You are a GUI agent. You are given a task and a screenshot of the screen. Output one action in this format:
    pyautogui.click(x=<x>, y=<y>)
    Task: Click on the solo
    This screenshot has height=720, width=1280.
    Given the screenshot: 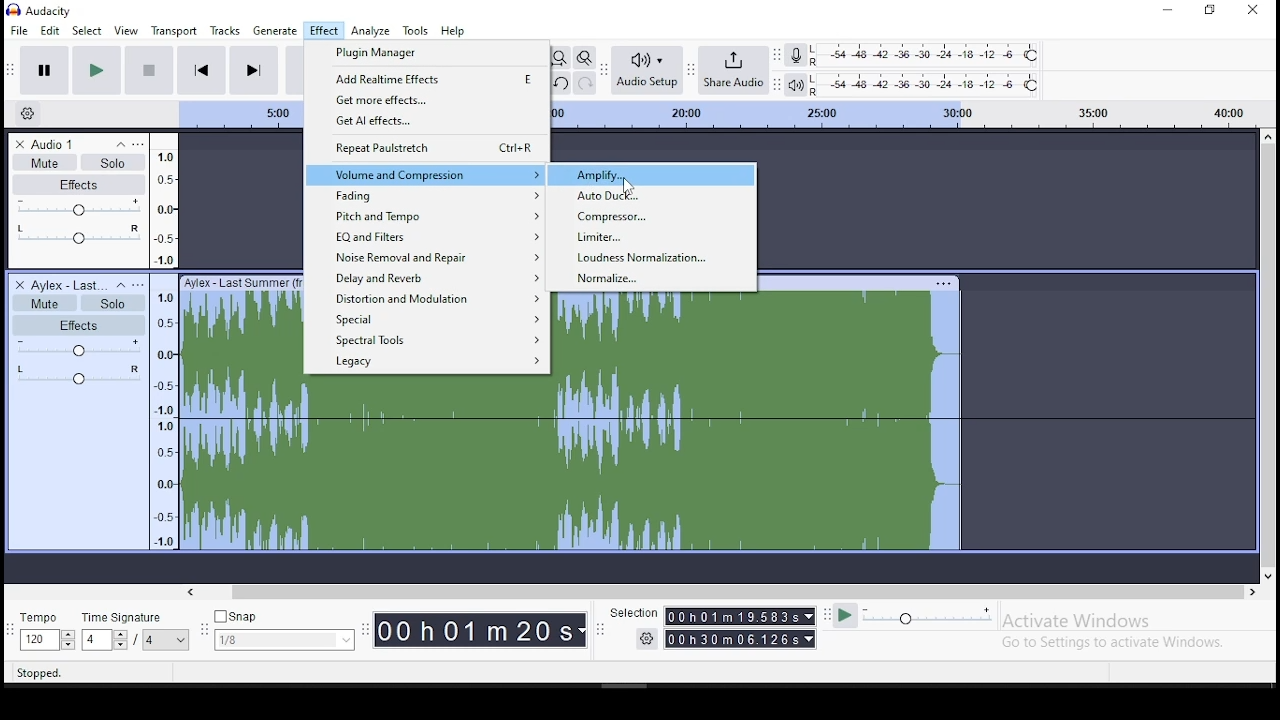 What is the action you would take?
    pyautogui.click(x=113, y=162)
    